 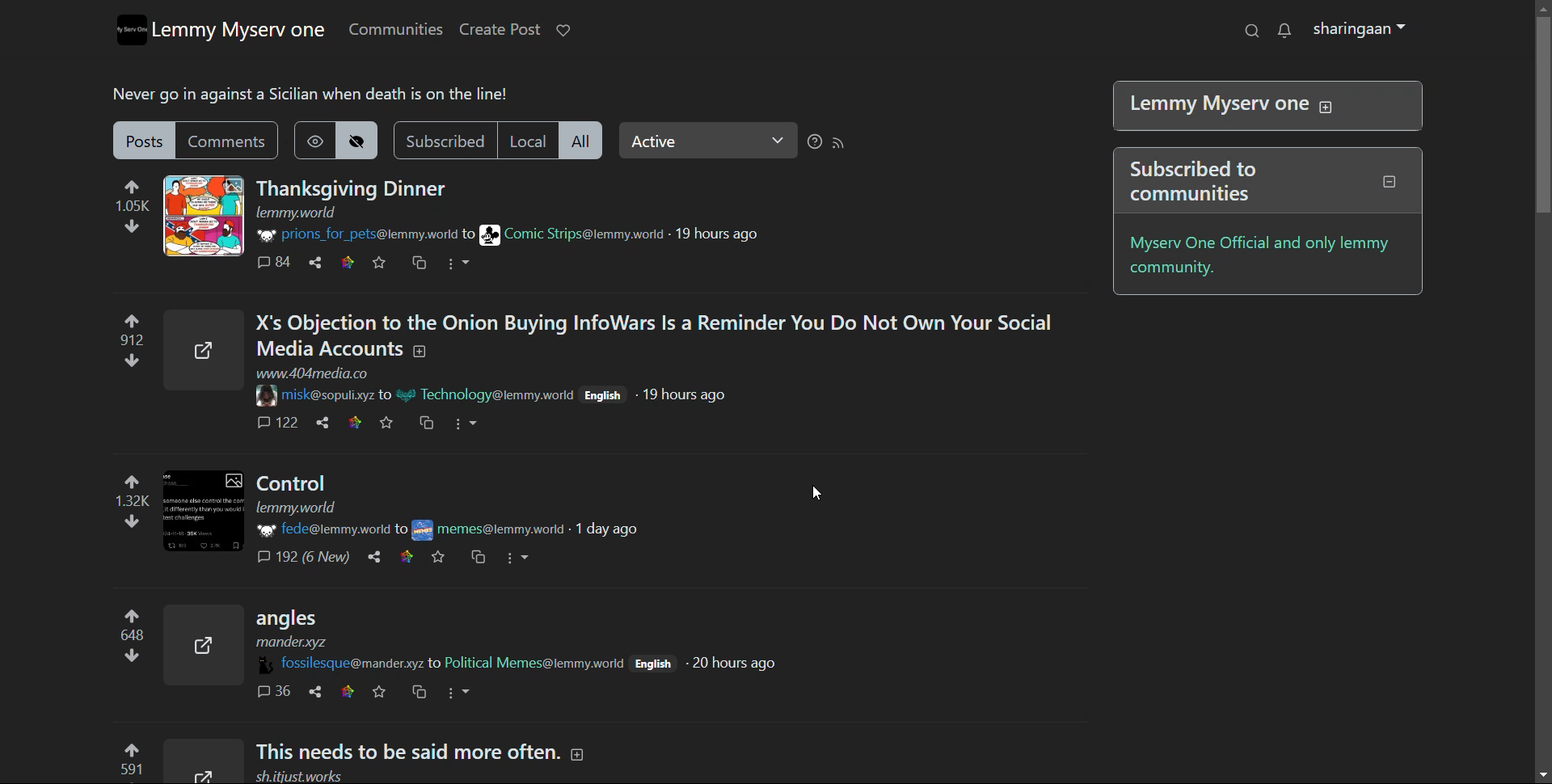 I want to click on 19 hours ago (Post time), so click(x=688, y=394).